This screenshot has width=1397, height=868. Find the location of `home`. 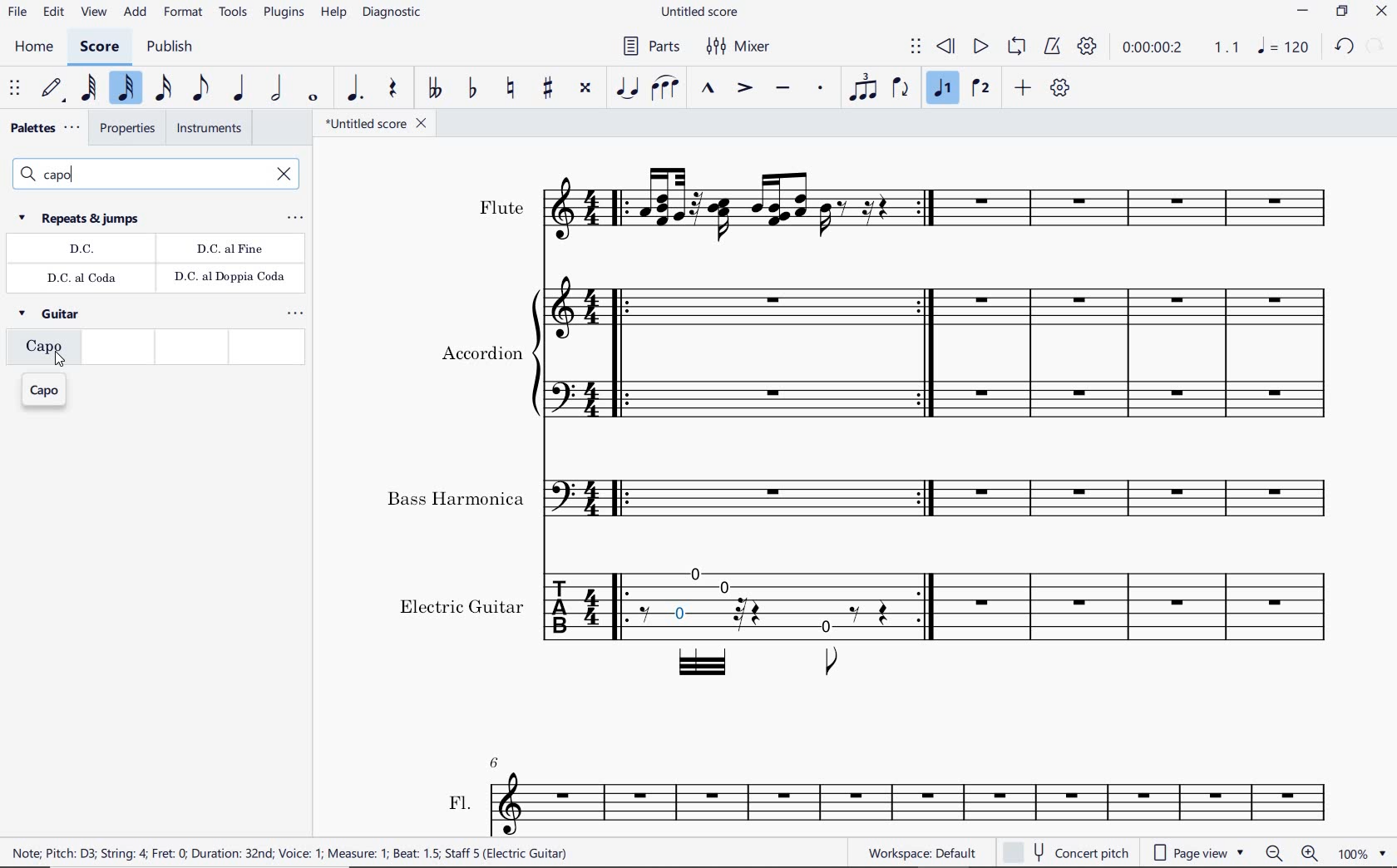

home is located at coordinates (32, 47).